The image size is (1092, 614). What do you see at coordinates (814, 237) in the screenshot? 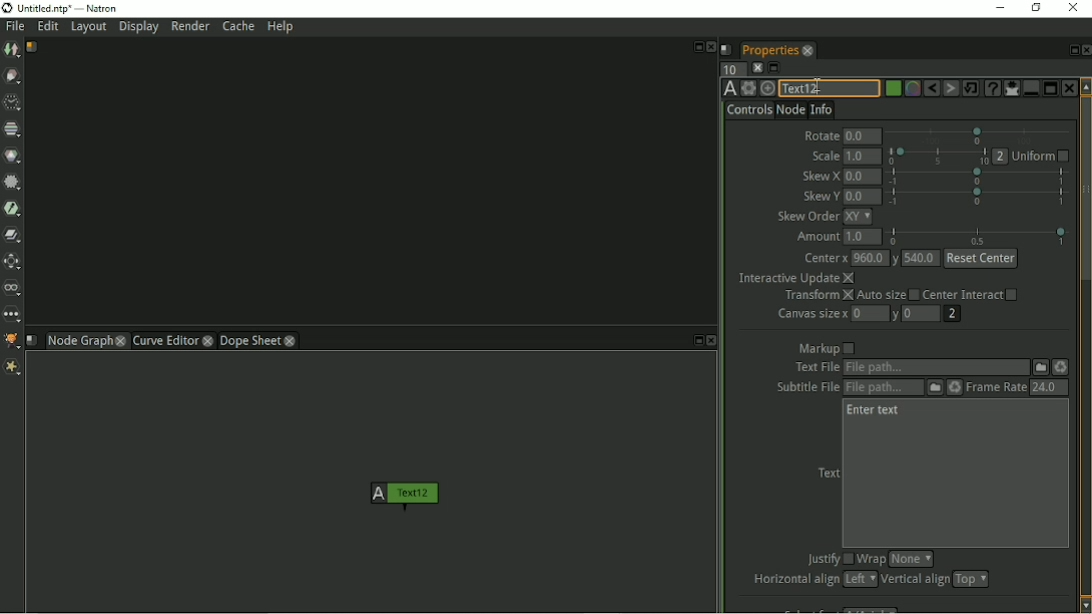
I see `Amount` at bounding box center [814, 237].